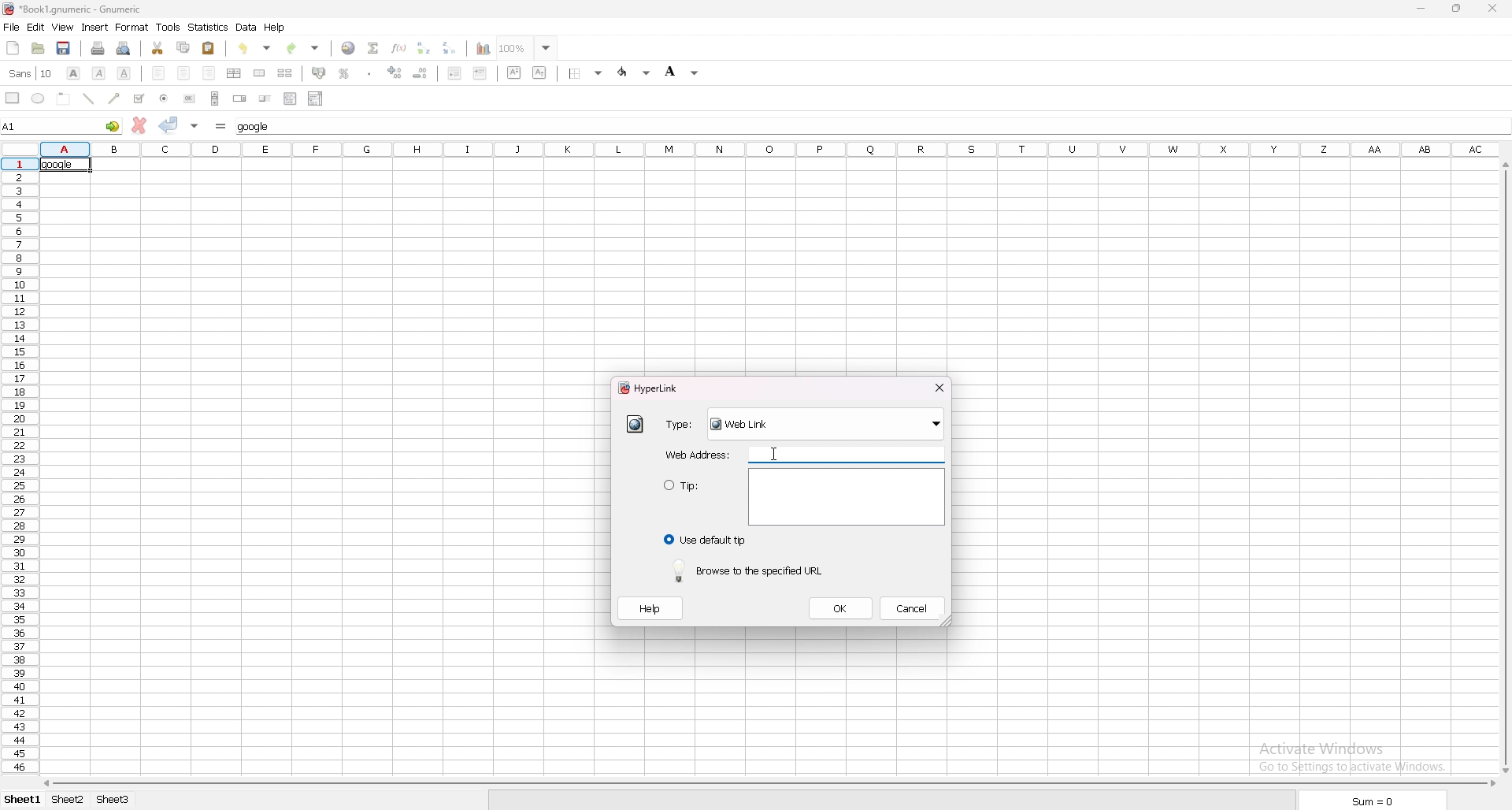 The height and width of the screenshot is (810, 1512). Describe the element at coordinates (286, 73) in the screenshot. I see `split merged cell` at that location.